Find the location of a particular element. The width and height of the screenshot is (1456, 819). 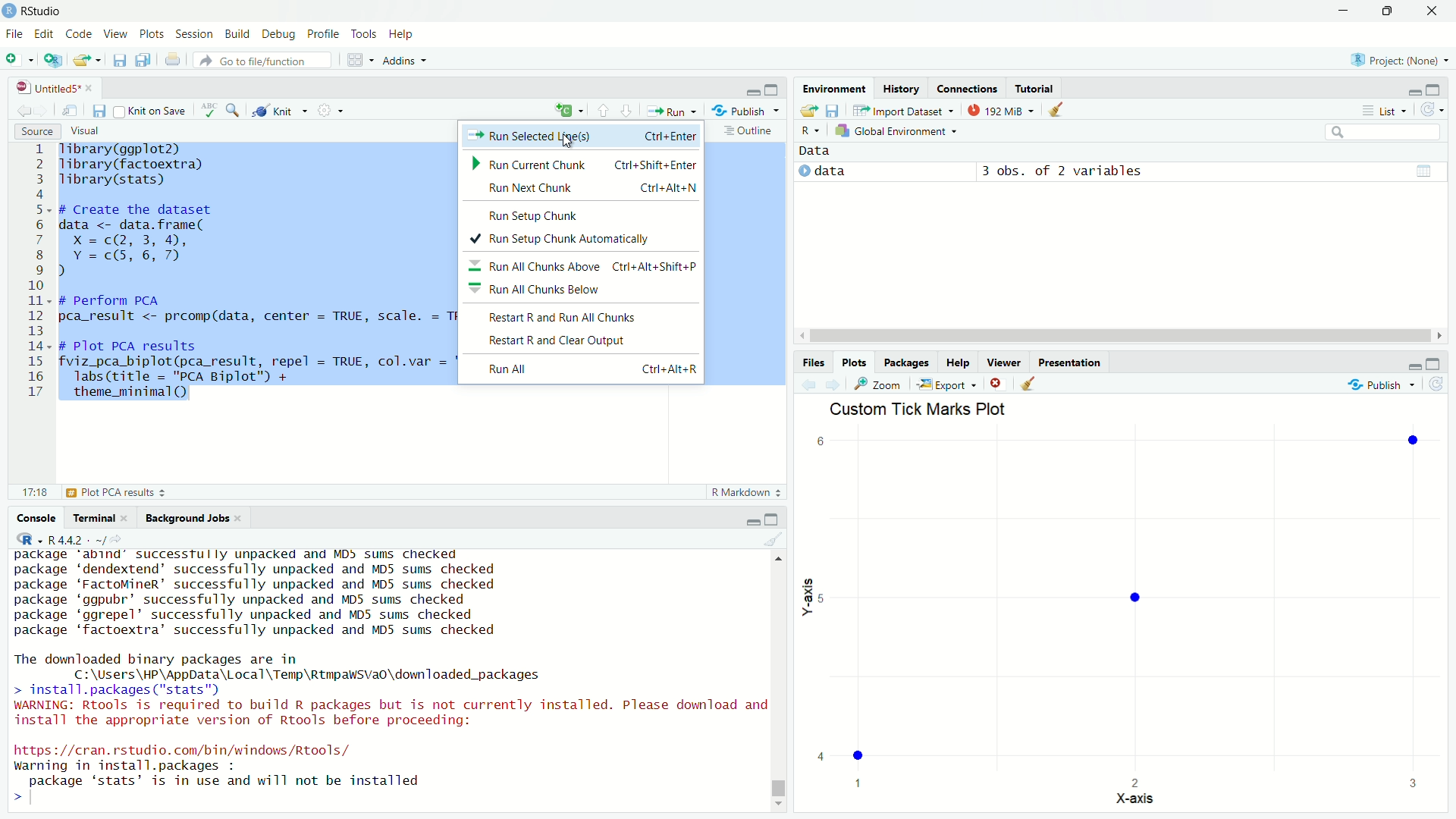

custom tick marks plot is located at coordinates (1125, 607).